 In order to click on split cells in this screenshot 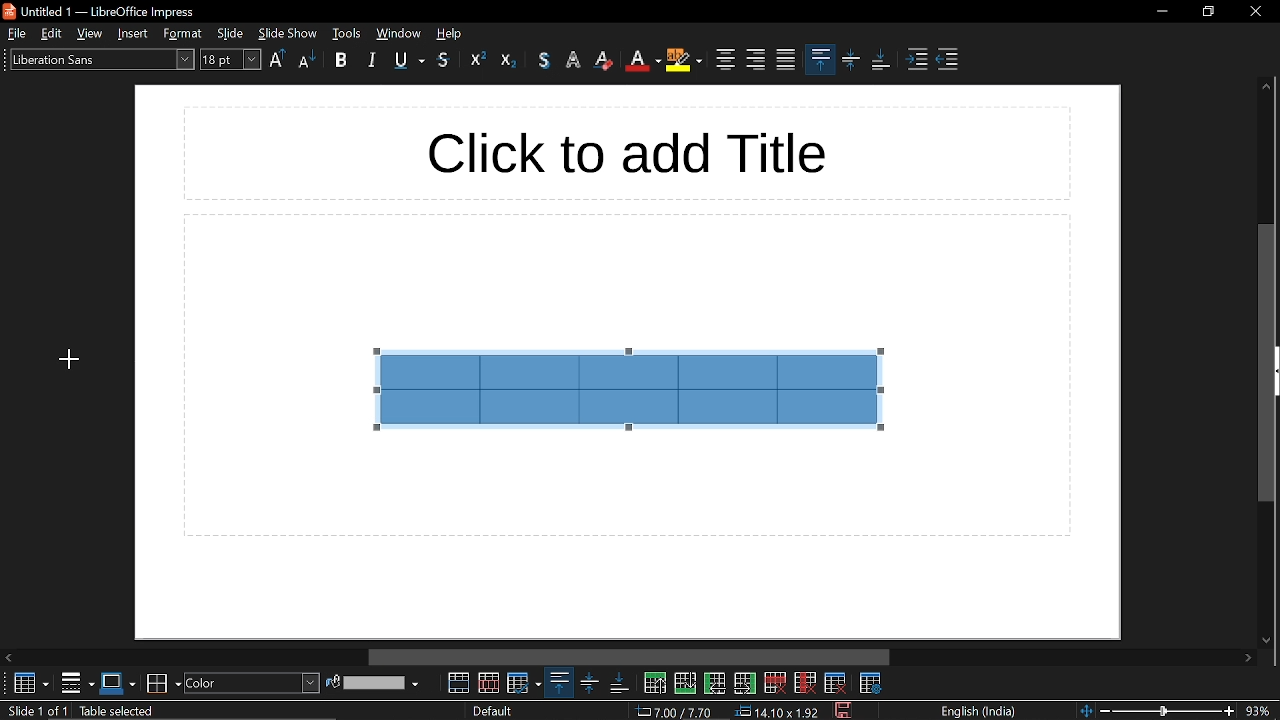, I will do `click(489, 683)`.